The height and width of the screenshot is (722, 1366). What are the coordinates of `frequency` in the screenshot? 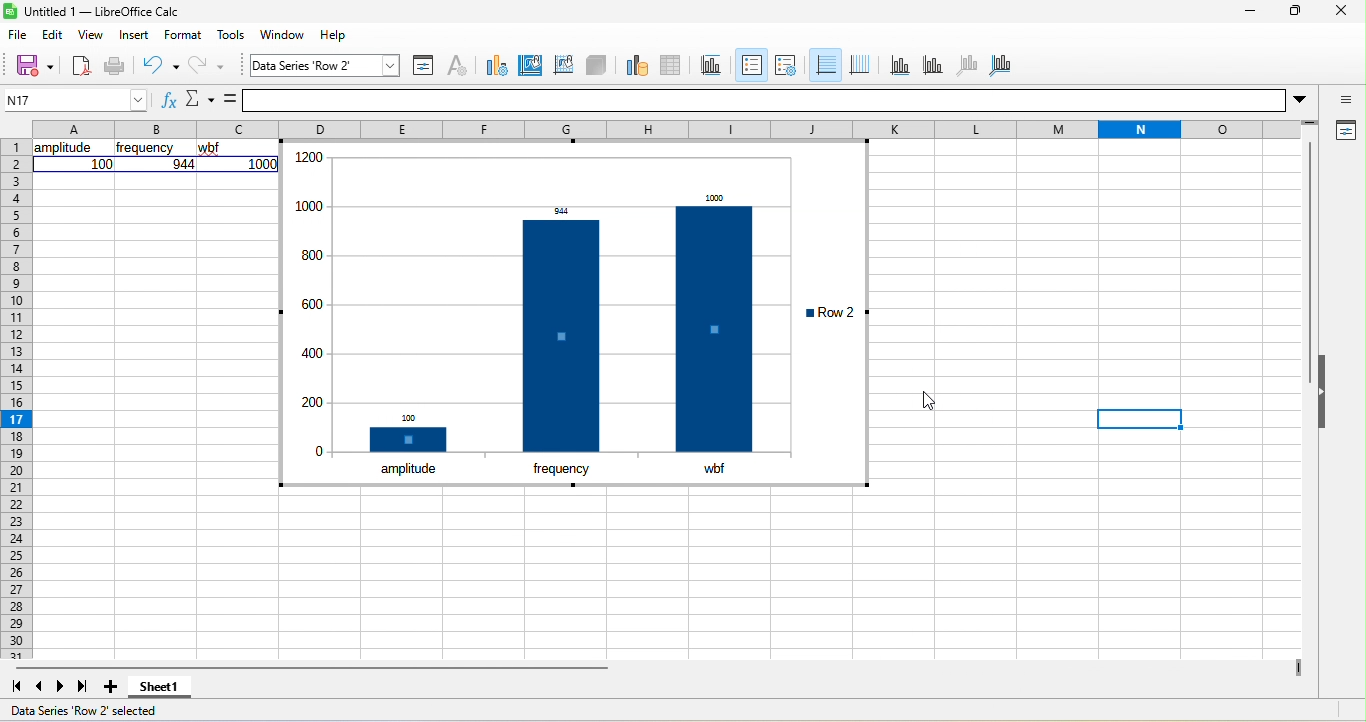 It's located at (146, 149).